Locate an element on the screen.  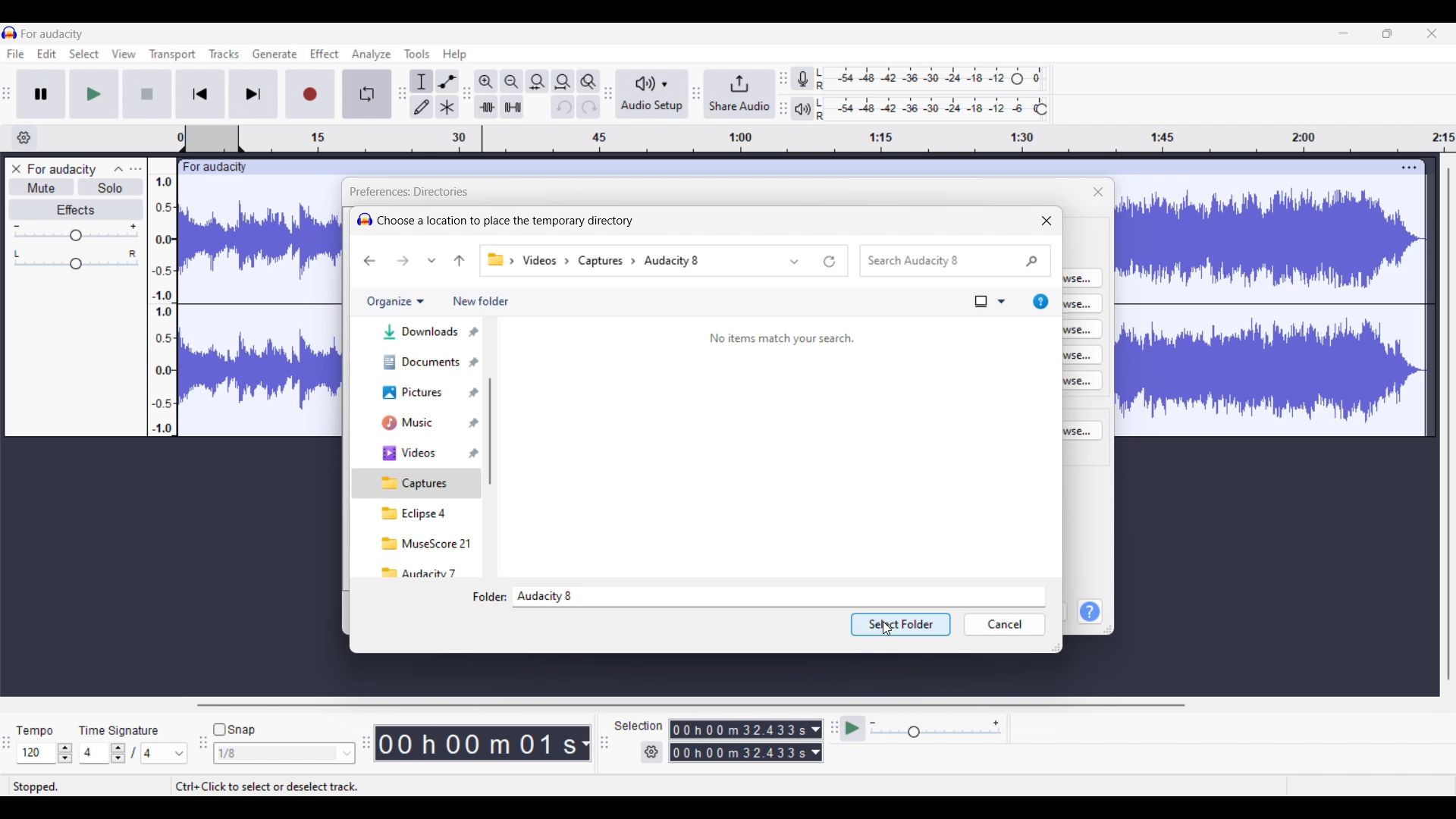
View menu is located at coordinates (124, 54).